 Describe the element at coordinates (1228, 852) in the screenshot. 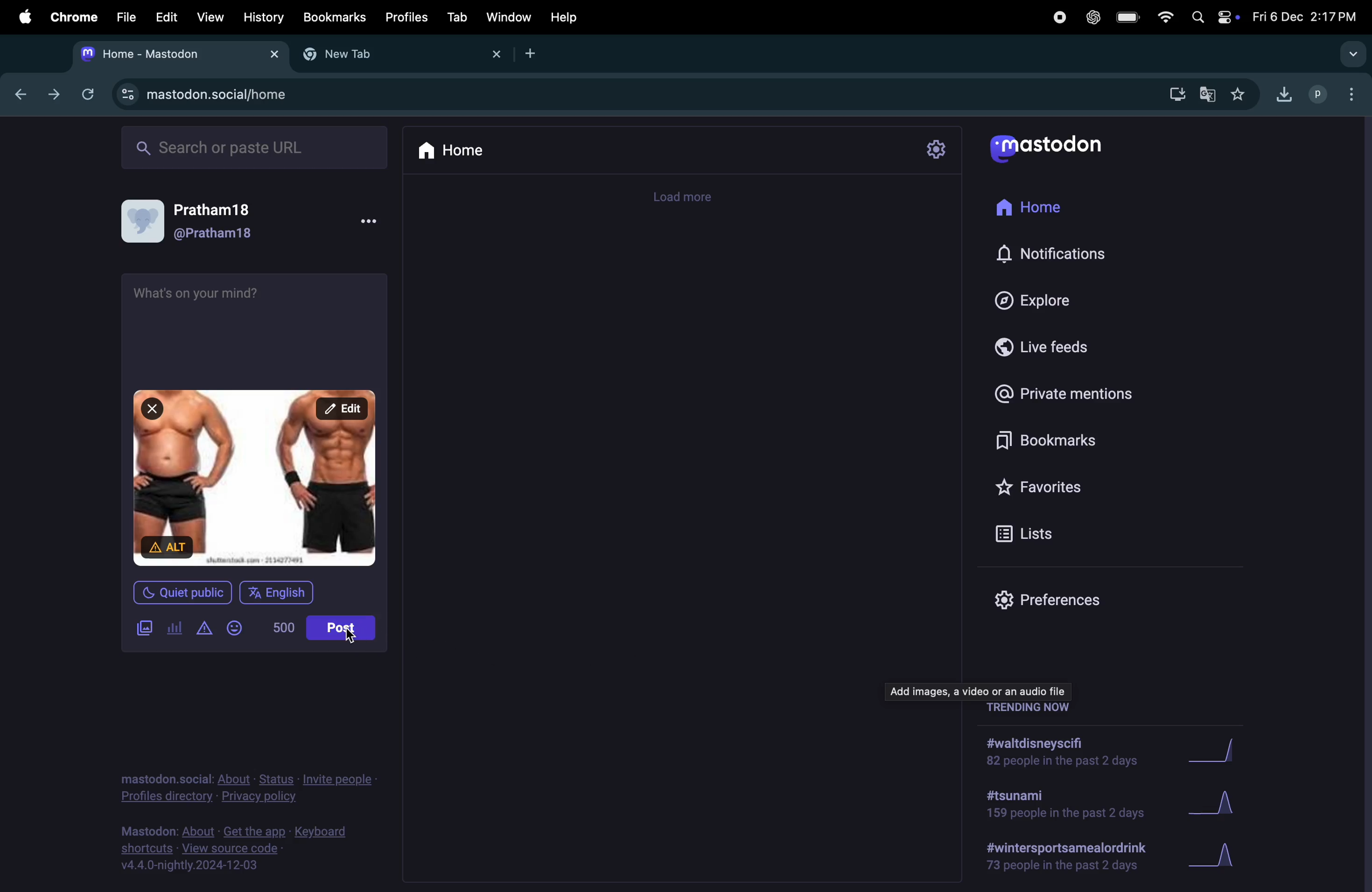

I see `Graph` at that location.